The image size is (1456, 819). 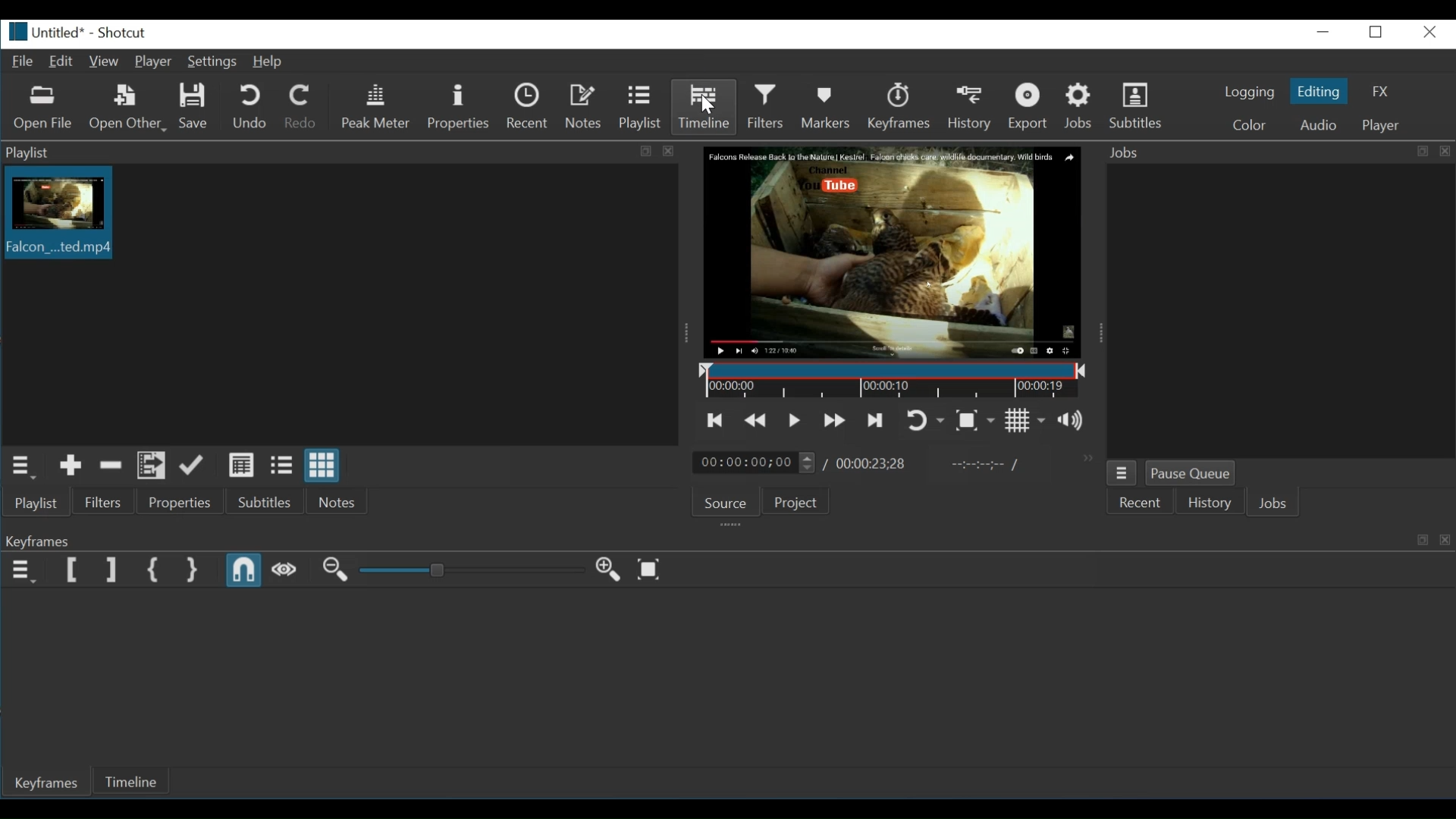 I want to click on Toggle zoom, so click(x=974, y=421).